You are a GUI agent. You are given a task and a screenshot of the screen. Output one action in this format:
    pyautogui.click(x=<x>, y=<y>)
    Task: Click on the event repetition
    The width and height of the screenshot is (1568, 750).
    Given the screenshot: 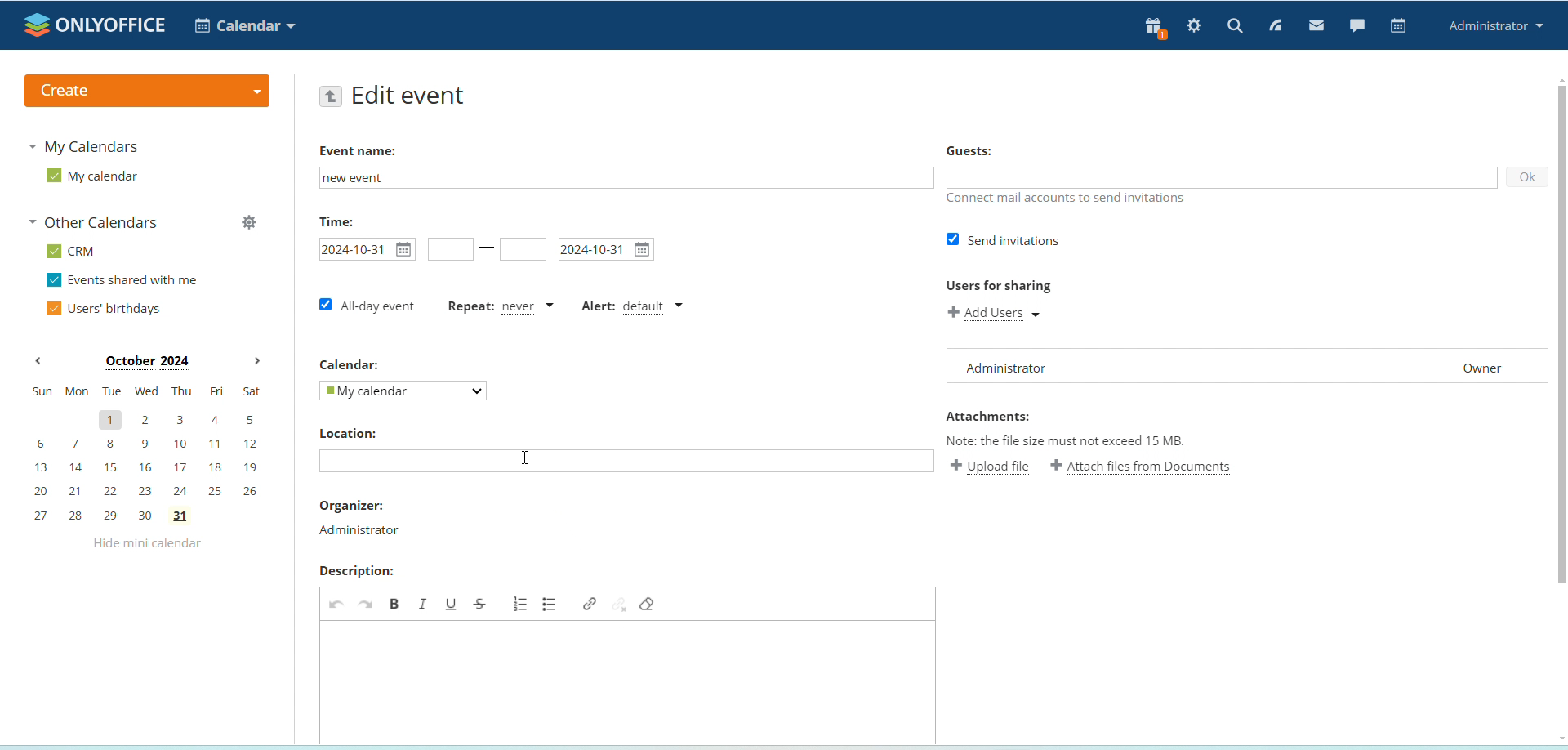 What is the action you would take?
    pyautogui.click(x=501, y=309)
    